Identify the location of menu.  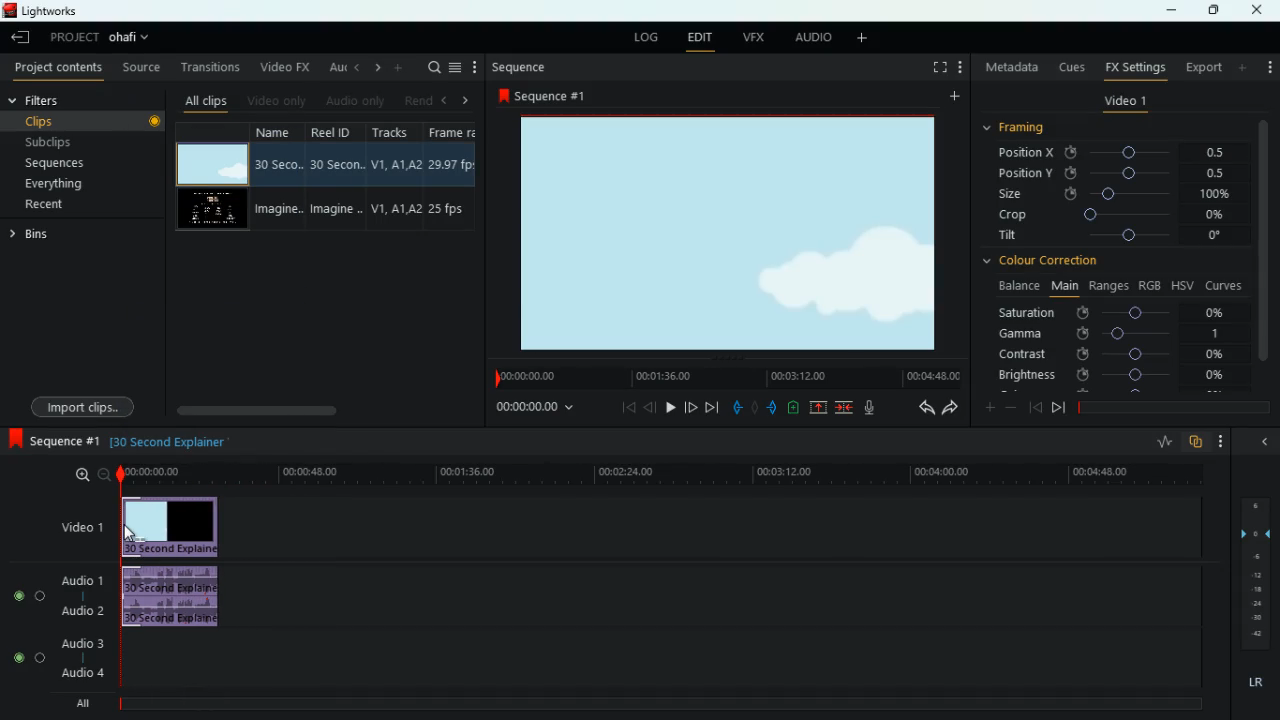
(455, 67).